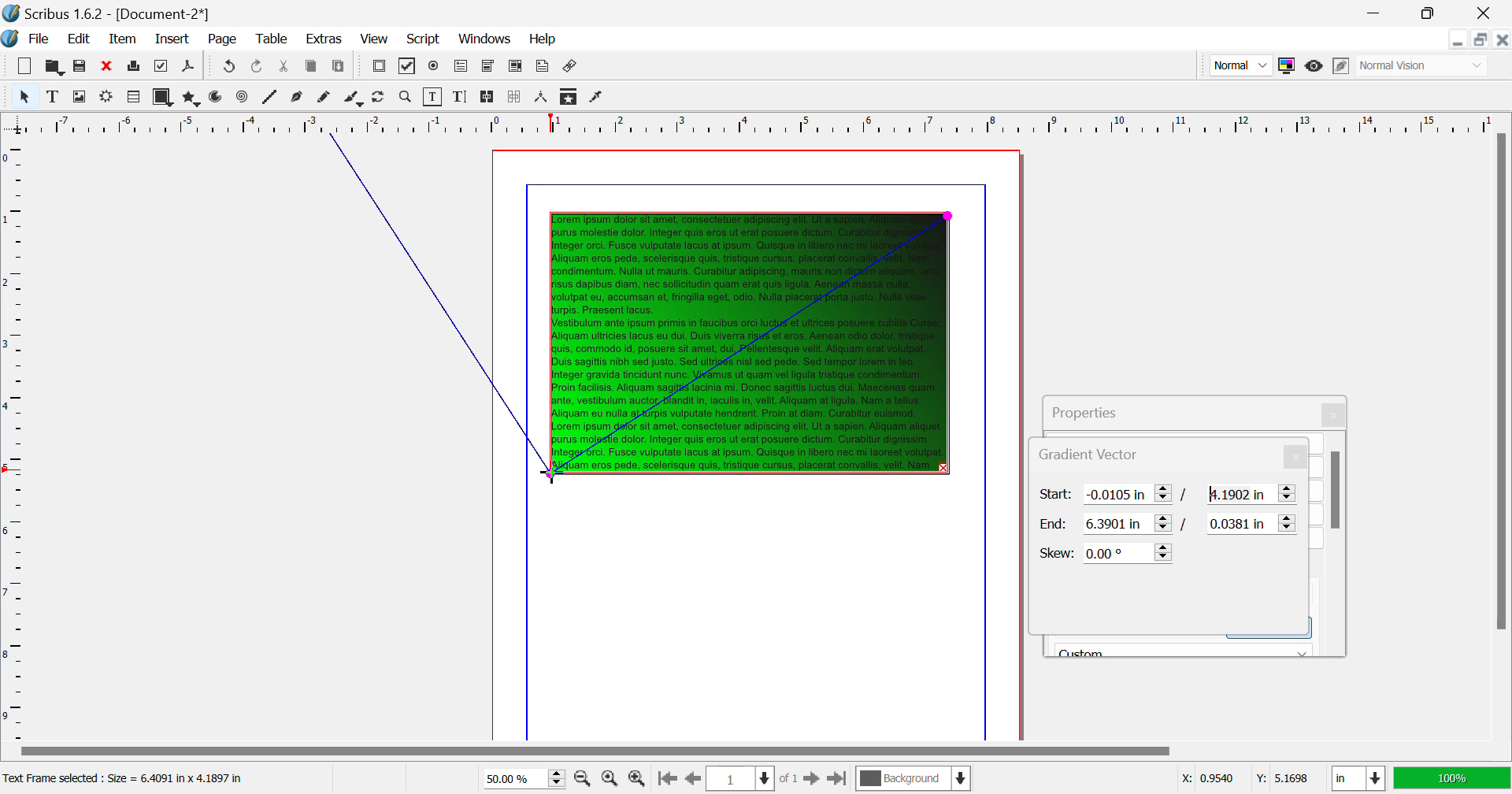 The width and height of the screenshot is (1512, 794). Describe the element at coordinates (1336, 415) in the screenshot. I see `Close` at that location.